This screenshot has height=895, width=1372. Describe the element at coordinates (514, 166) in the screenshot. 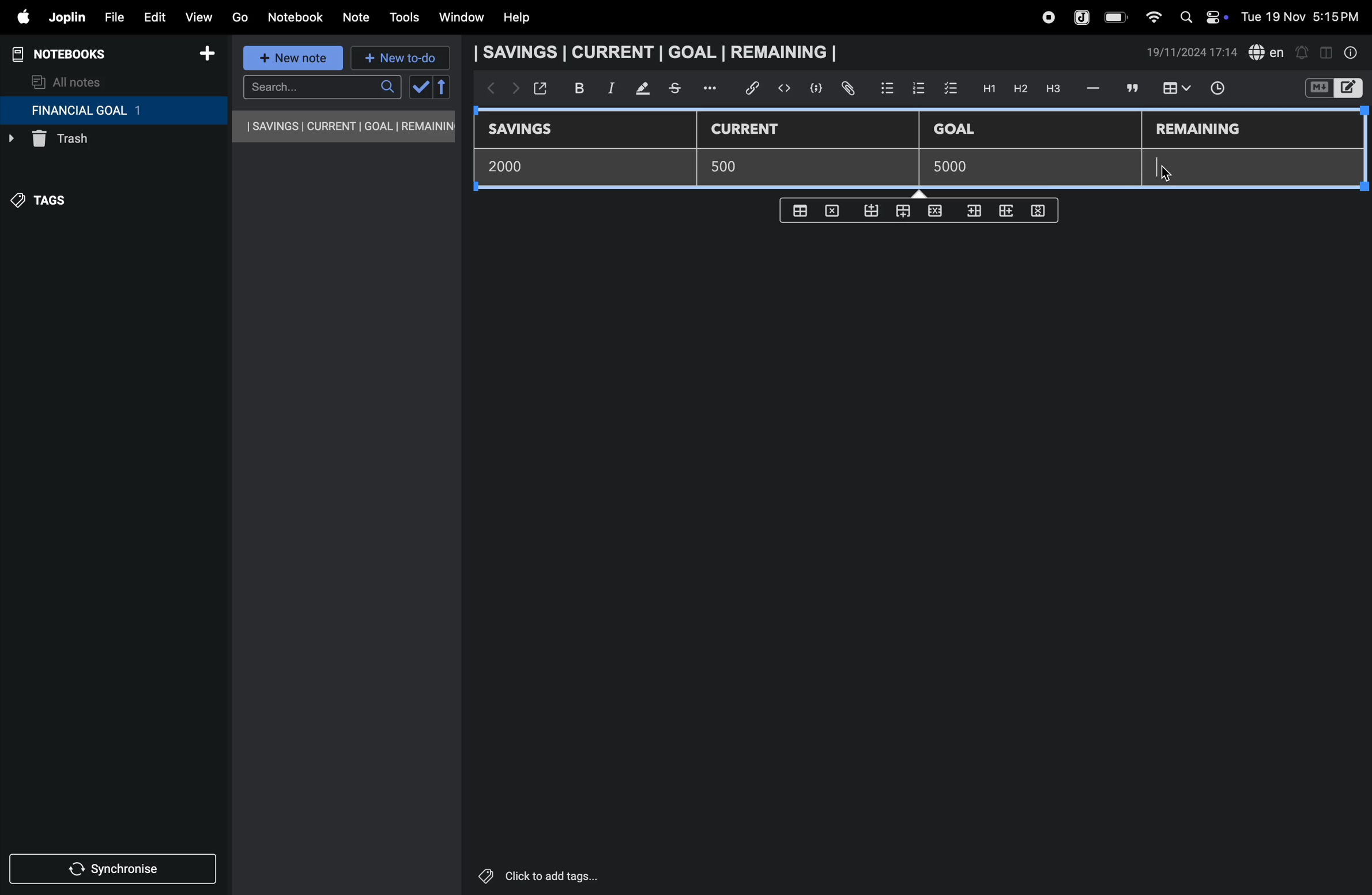

I see `2000` at that location.